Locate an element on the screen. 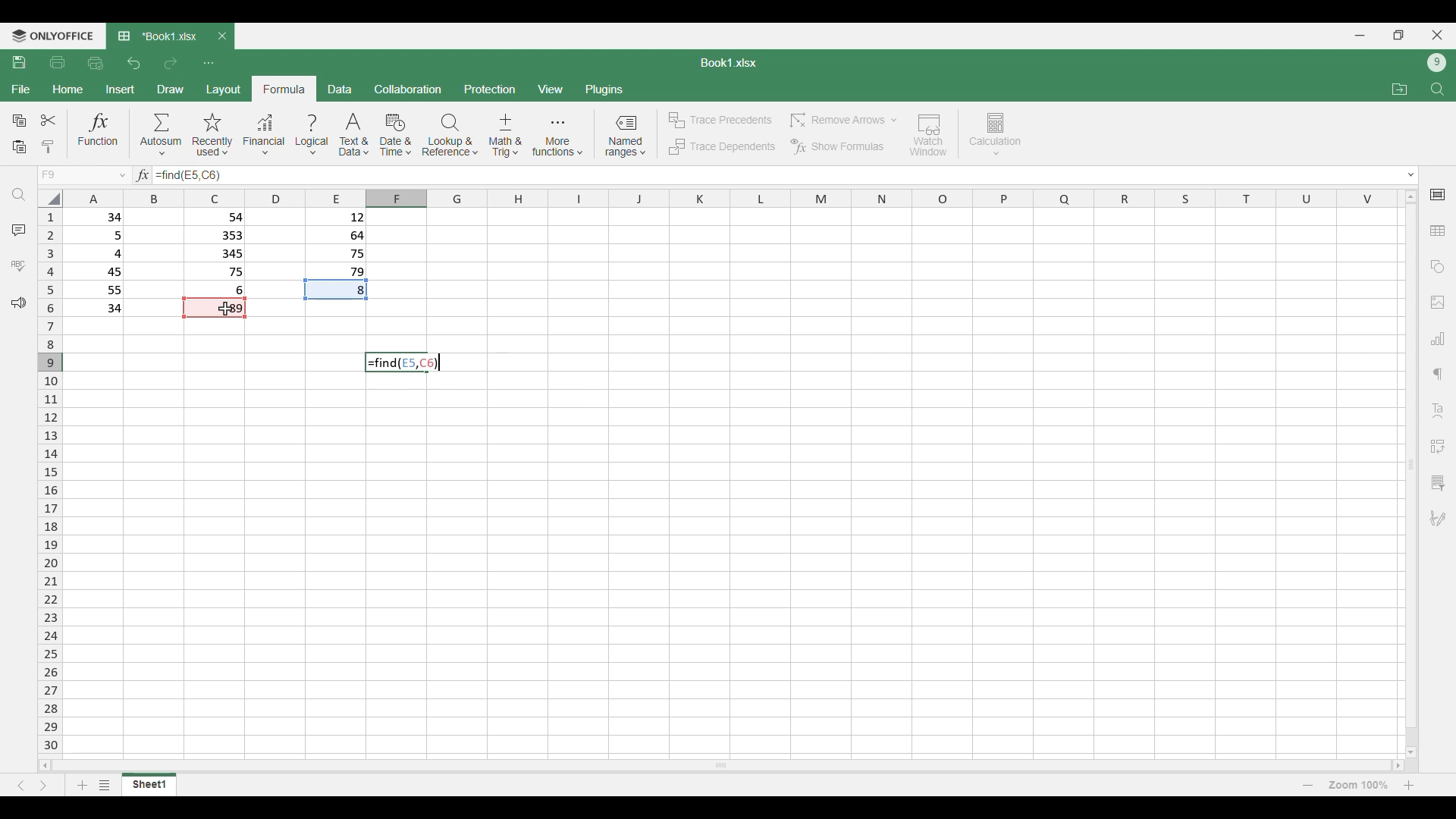  Slicer is located at coordinates (1437, 483).